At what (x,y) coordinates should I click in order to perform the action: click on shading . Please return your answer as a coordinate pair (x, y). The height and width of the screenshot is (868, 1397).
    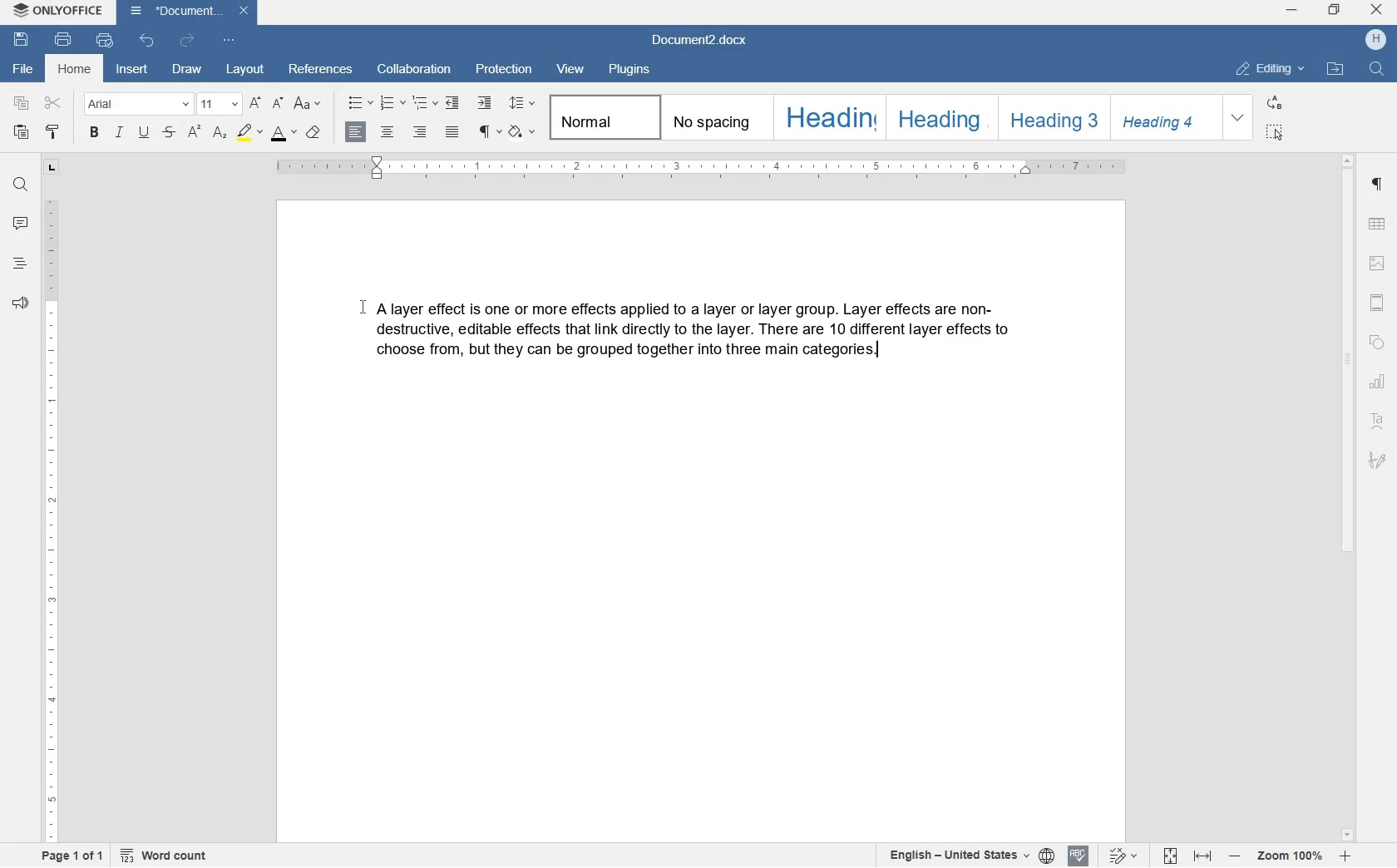
    Looking at the image, I should click on (521, 132).